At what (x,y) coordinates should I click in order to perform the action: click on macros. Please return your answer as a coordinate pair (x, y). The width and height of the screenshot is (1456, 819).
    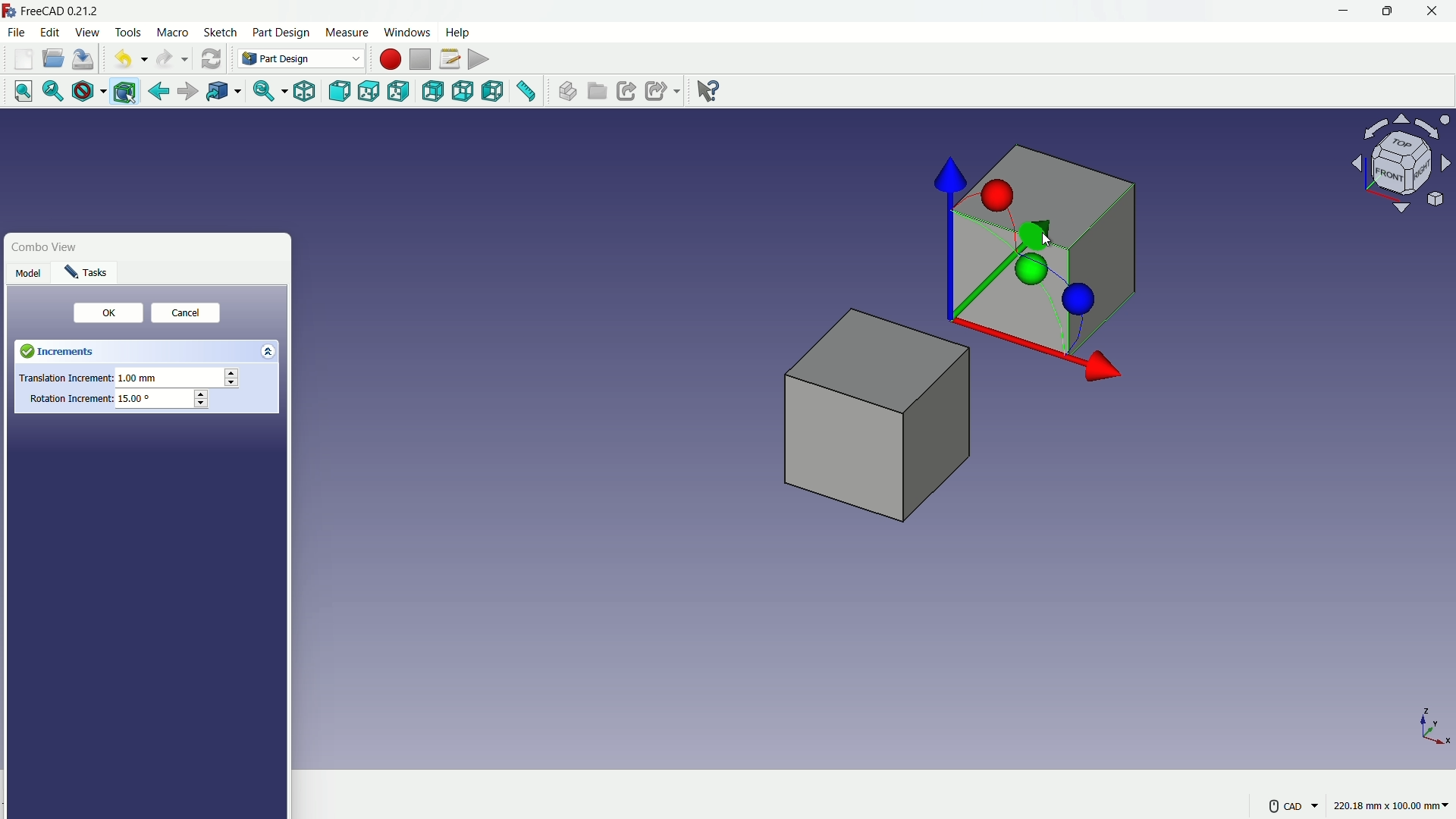
    Looking at the image, I should click on (449, 58).